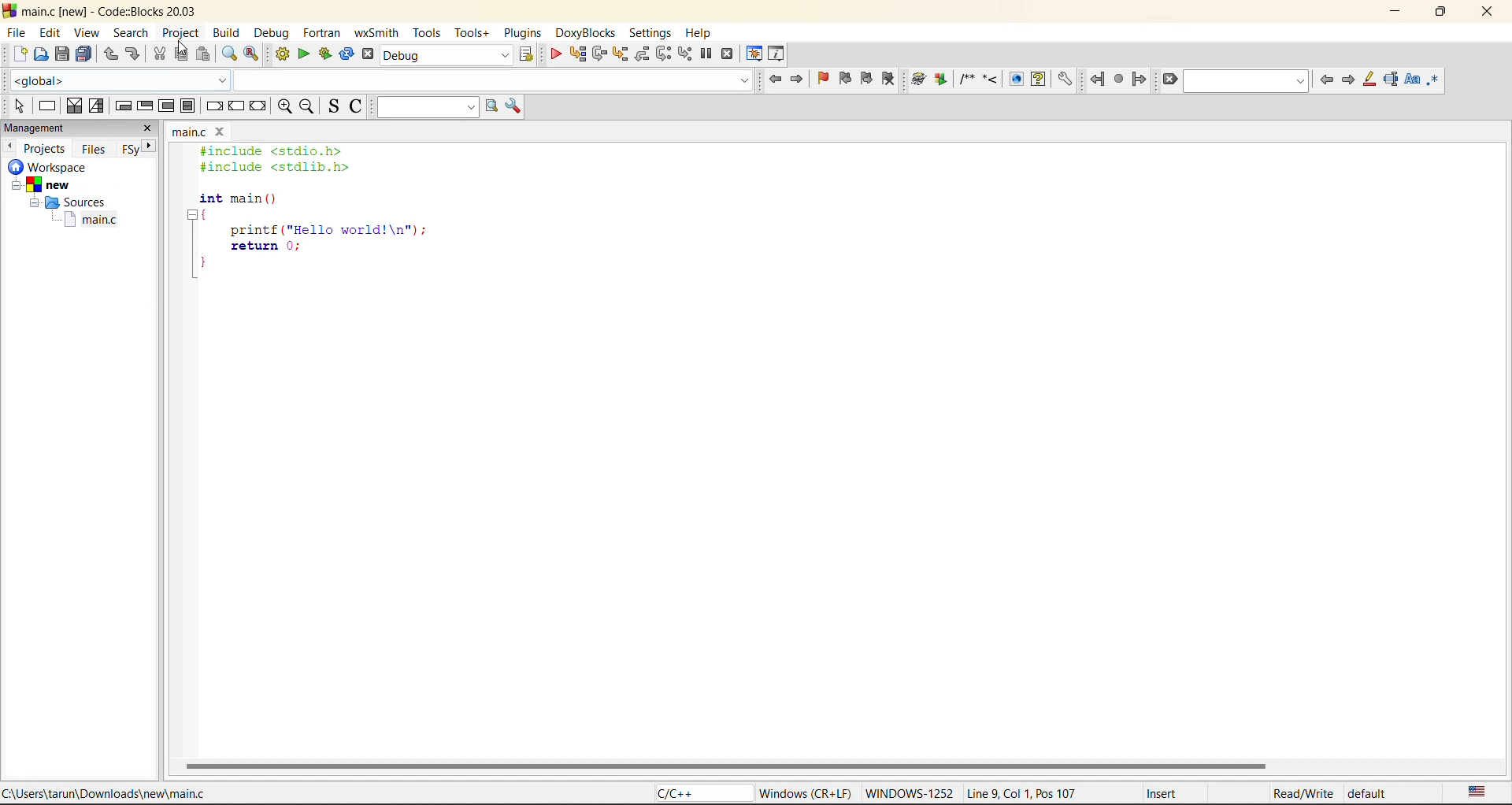 This screenshot has height=805, width=1512. I want to click on break instruction, so click(216, 108).